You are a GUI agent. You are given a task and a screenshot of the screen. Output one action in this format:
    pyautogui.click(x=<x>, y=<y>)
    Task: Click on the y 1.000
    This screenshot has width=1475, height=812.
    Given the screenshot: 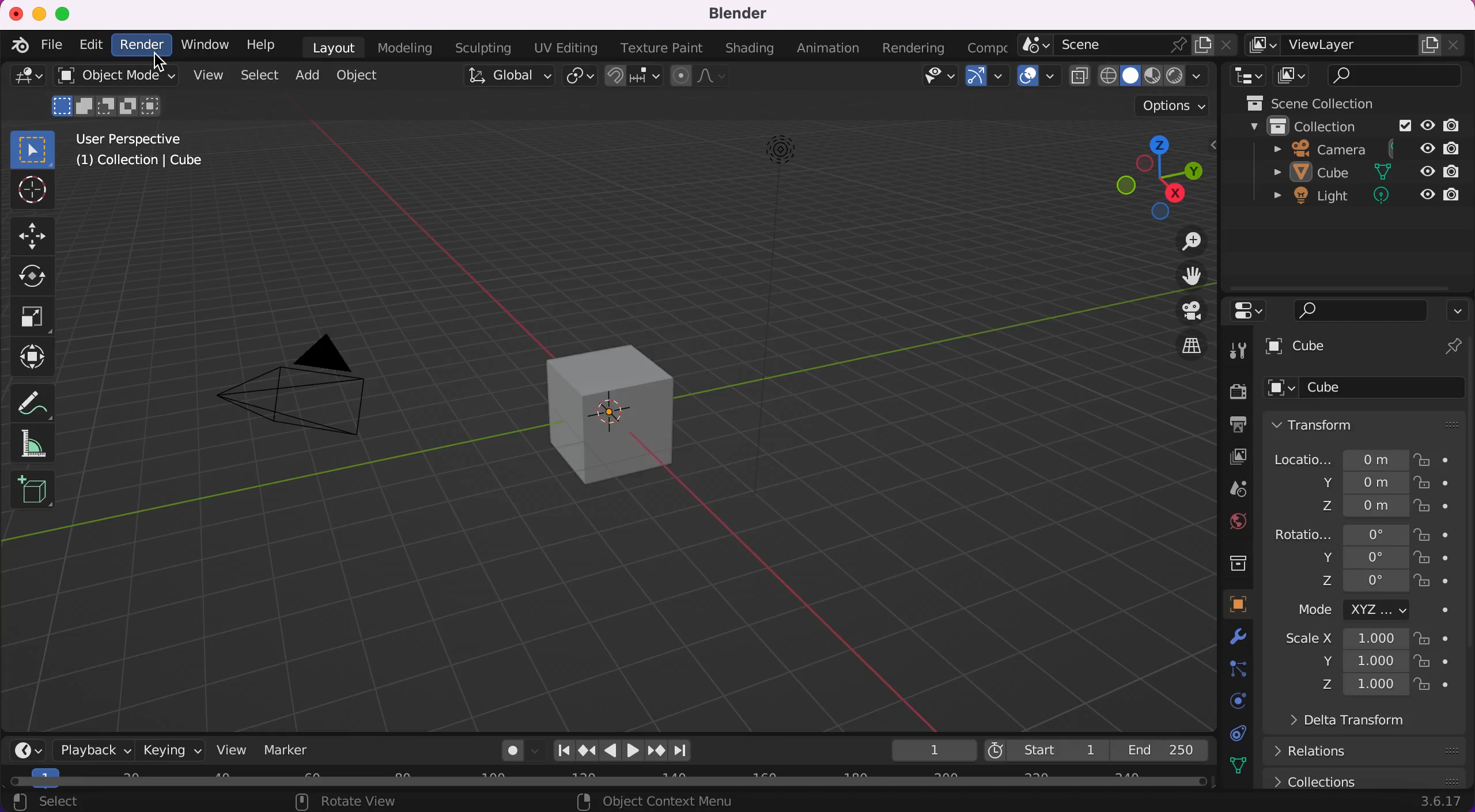 What is the action you would take?
    pyautogui.click(x=1362, y=661)
    